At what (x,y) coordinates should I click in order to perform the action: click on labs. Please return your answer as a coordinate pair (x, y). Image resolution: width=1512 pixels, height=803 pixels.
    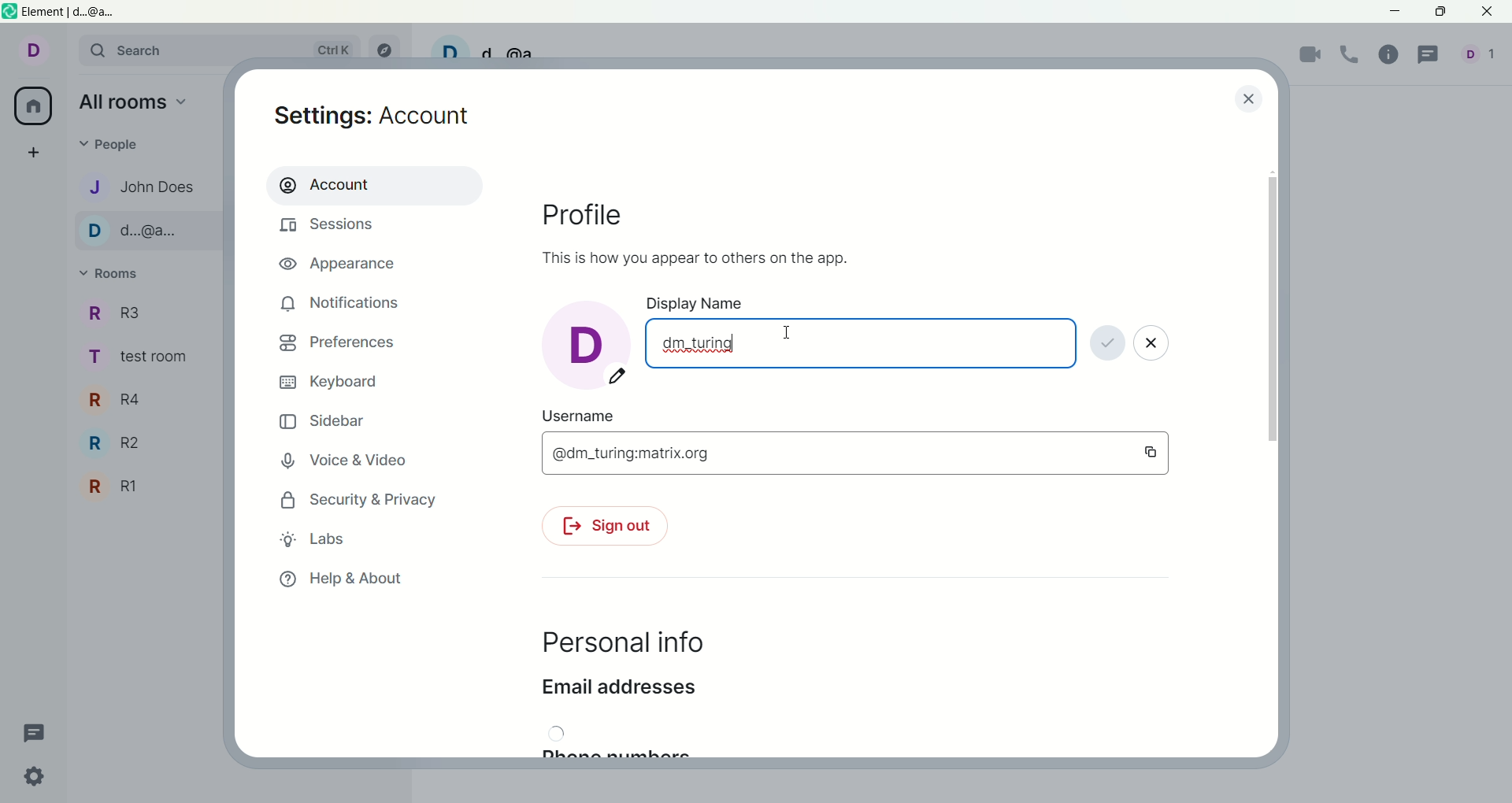
    Looking at the image, I should click on (314, 538).